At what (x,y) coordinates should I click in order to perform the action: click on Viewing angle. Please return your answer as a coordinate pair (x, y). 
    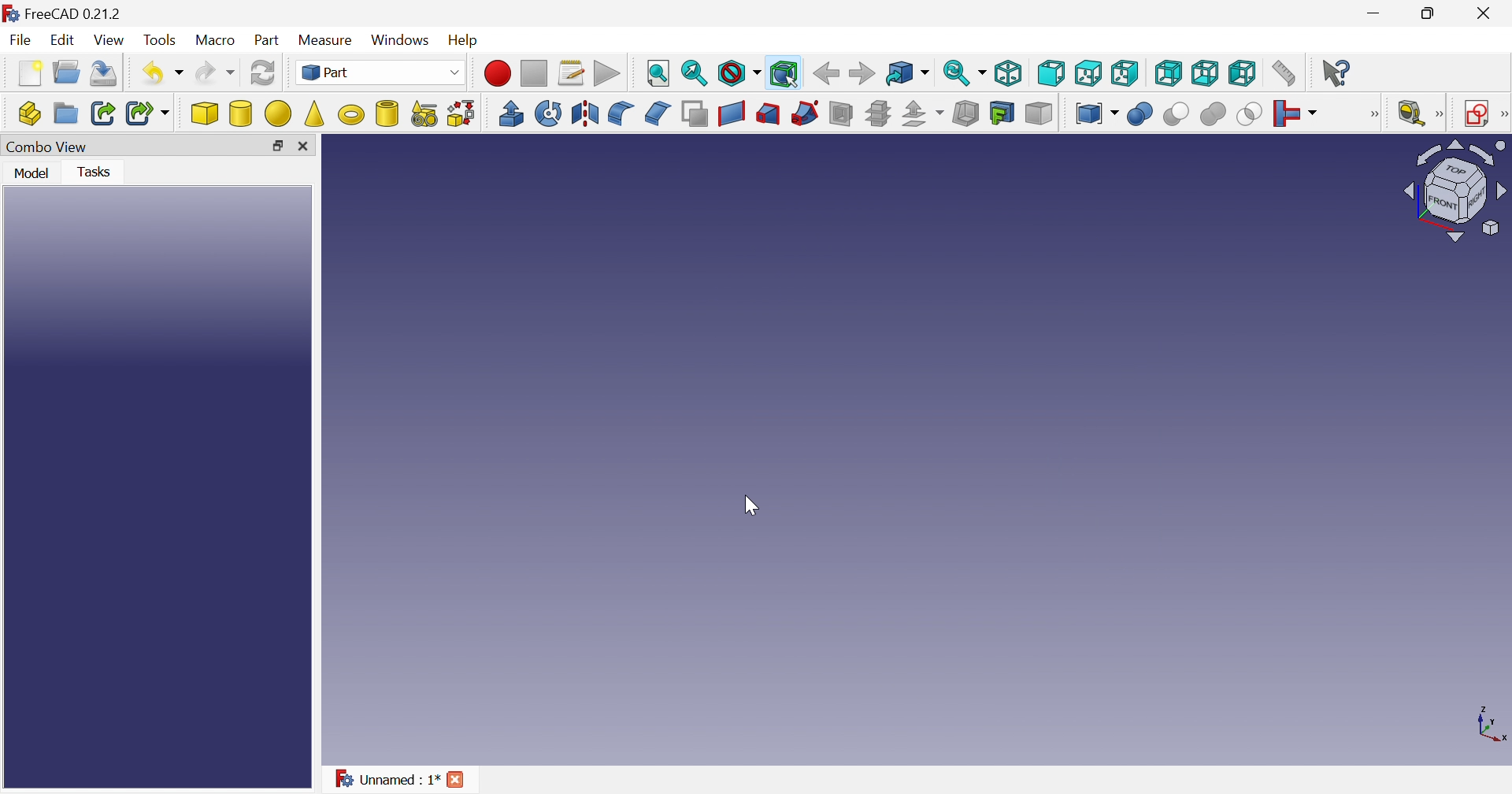
    Looking at the image, I should click on (1455, 191).